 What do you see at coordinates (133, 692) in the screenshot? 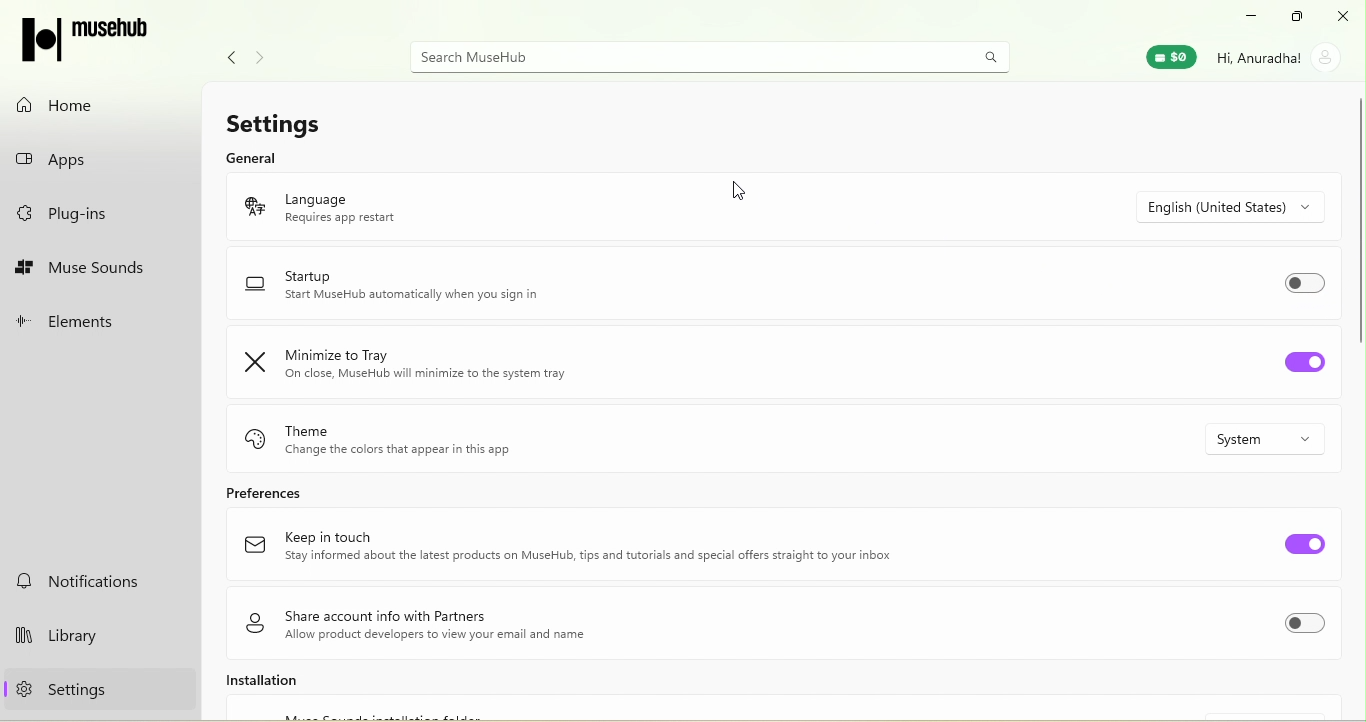
I see `cursor` at bounding box center [133, 692].